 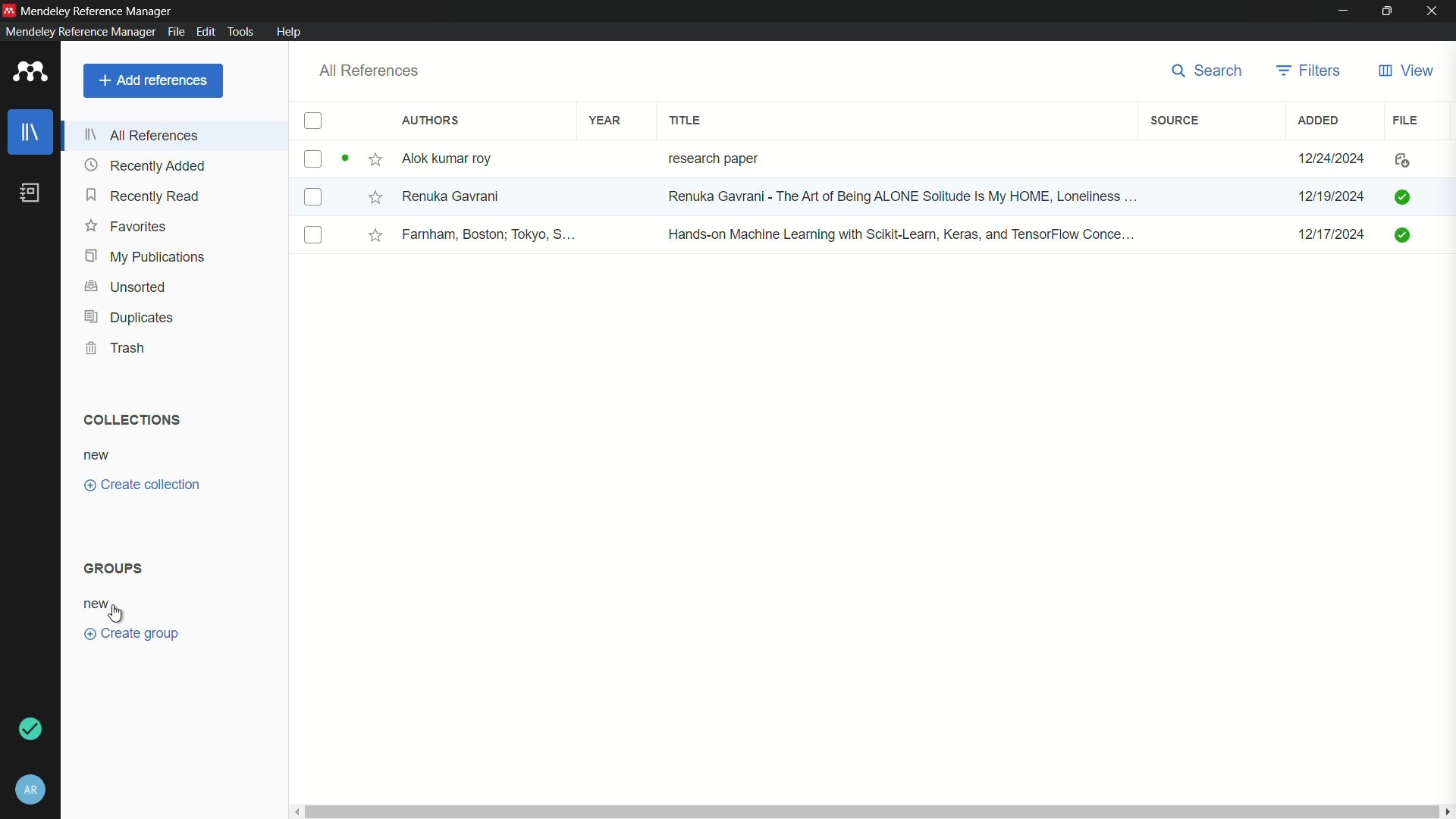 What do you see at coordinates (30, 790) in the screenshot?
I see `account and help` at bounding box center [30, 790].